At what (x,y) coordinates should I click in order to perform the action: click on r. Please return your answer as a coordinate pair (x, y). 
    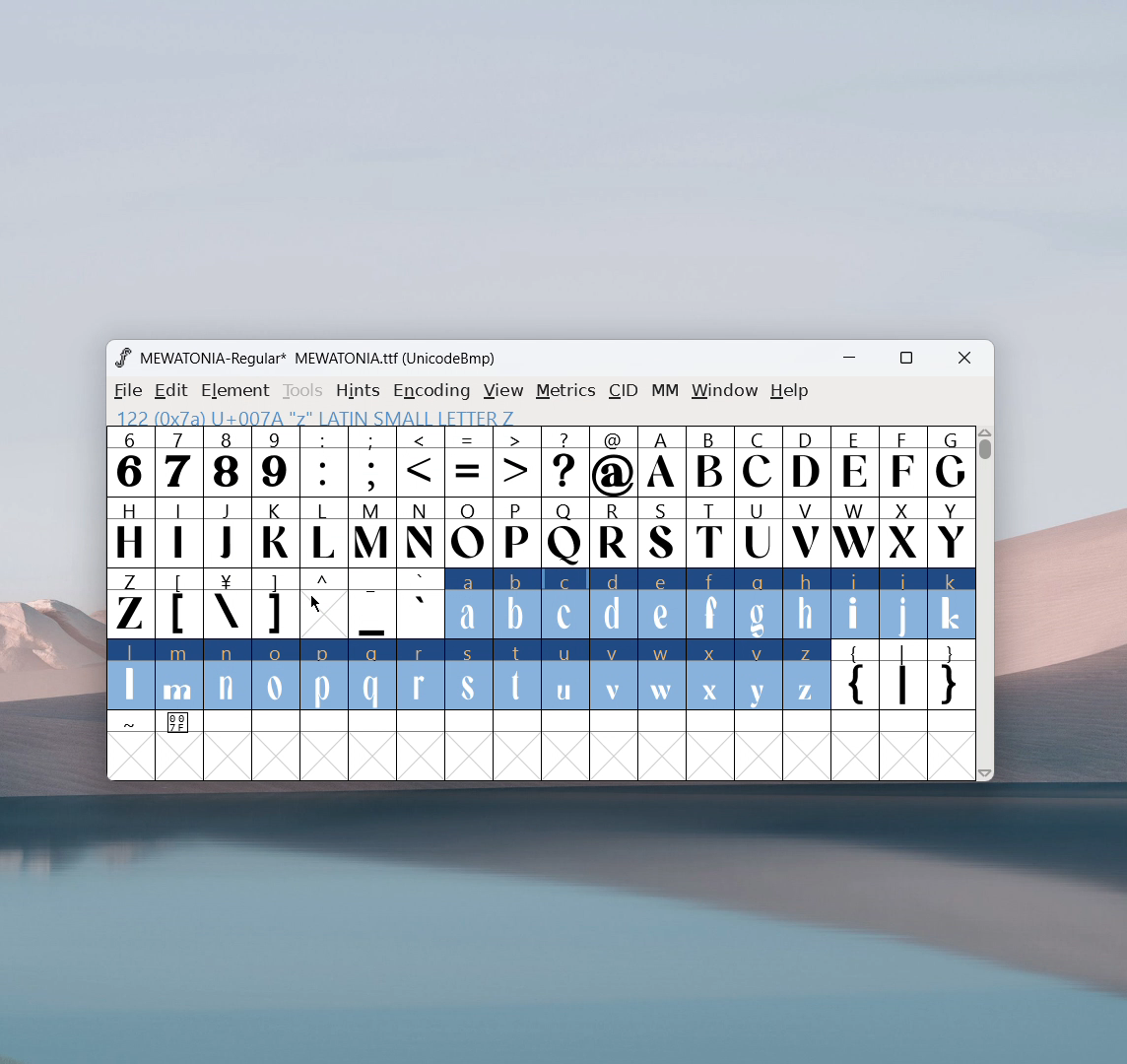
    Looking at the image, I should click on (420, 676).